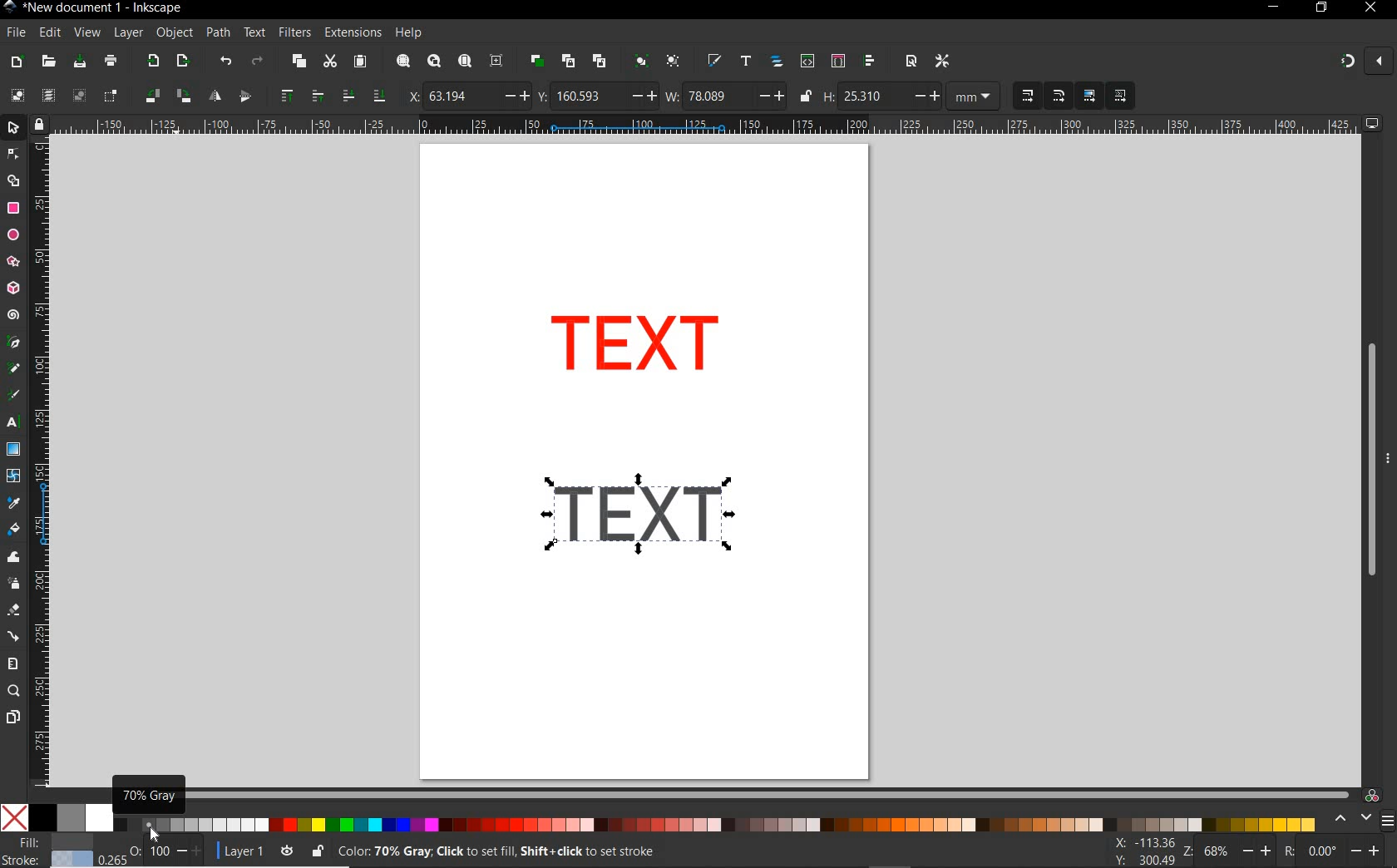 Image resolution: width=1397 pixels, height=868 pixels. Describe the element at coordinates (837, 62) in the screenshot. I see `open selectors` at that location.